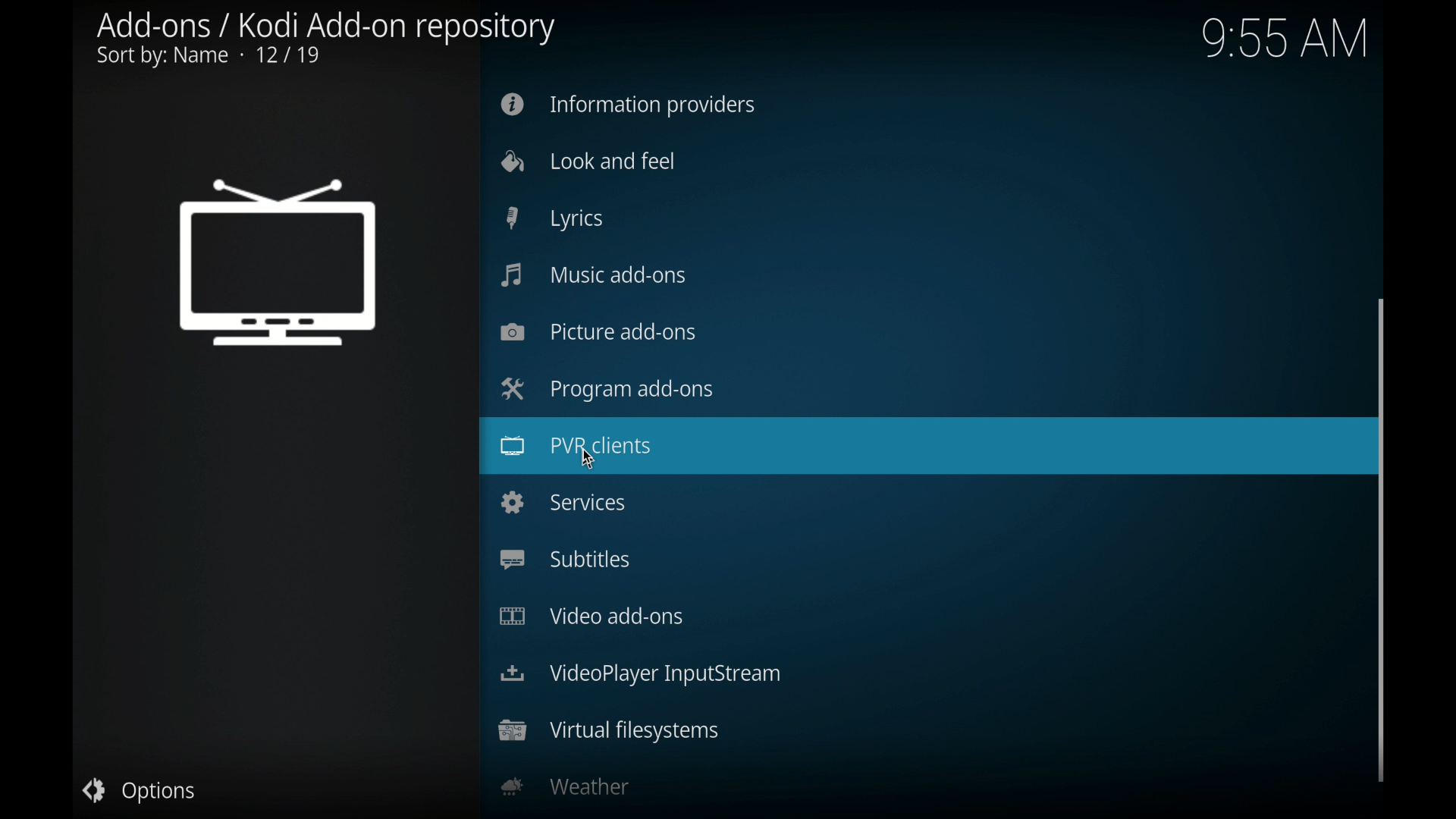 This screenshot has height=819, width=1456. Describe the element at coordinates (590, 617) in the screenshot. I see `video add-ons` at that location.